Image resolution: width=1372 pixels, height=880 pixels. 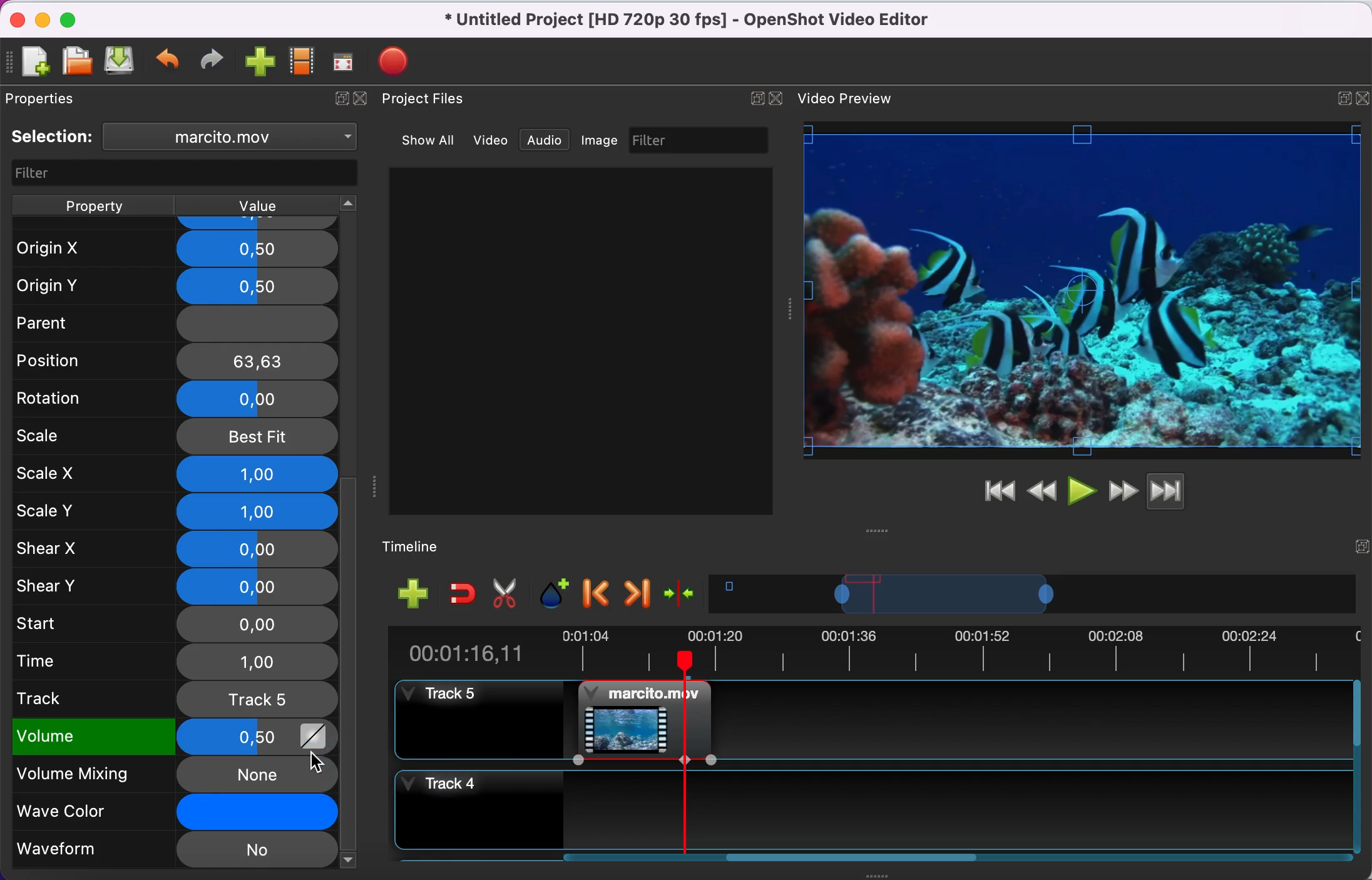 I want to click on vertical scroll bar, so click(x=351, y=606).